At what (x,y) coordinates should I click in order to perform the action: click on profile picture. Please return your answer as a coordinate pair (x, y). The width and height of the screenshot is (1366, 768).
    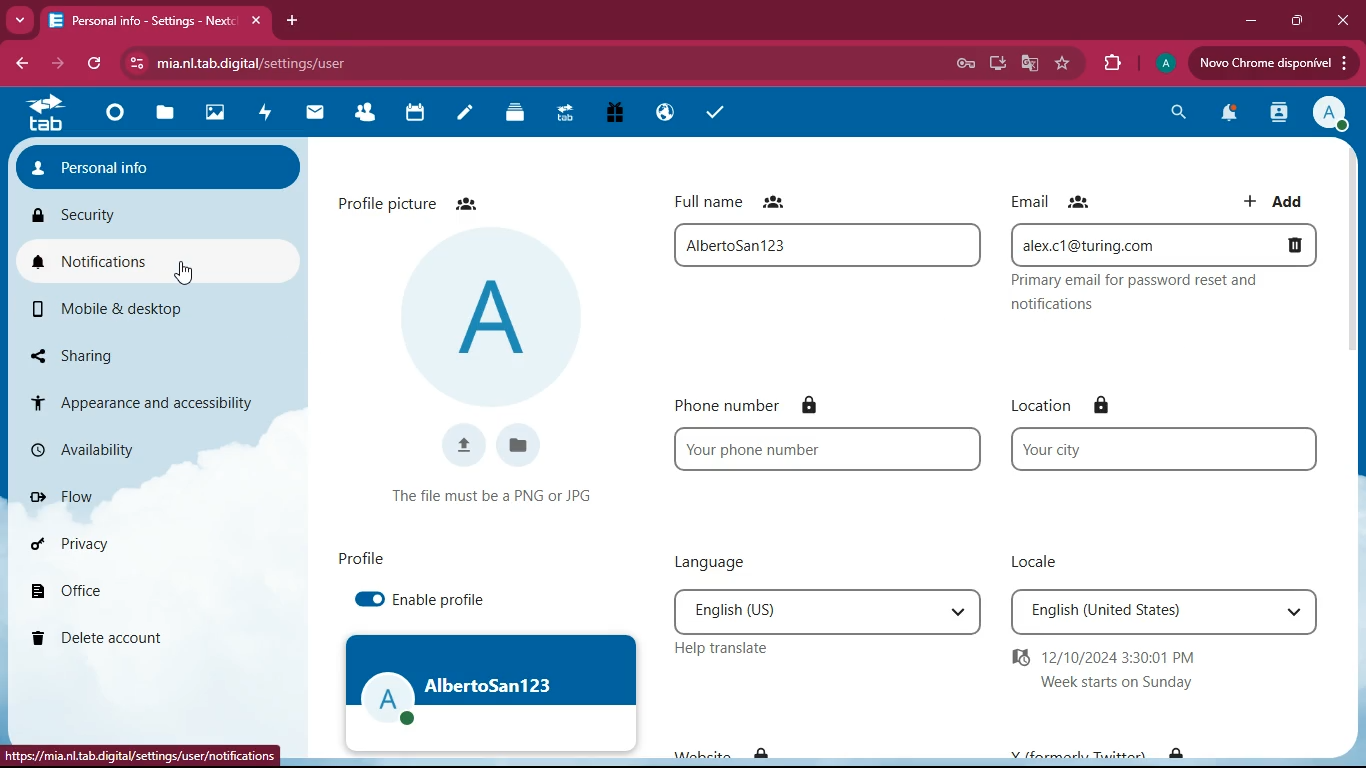
    Looking at the image, I should click on (500, 317).